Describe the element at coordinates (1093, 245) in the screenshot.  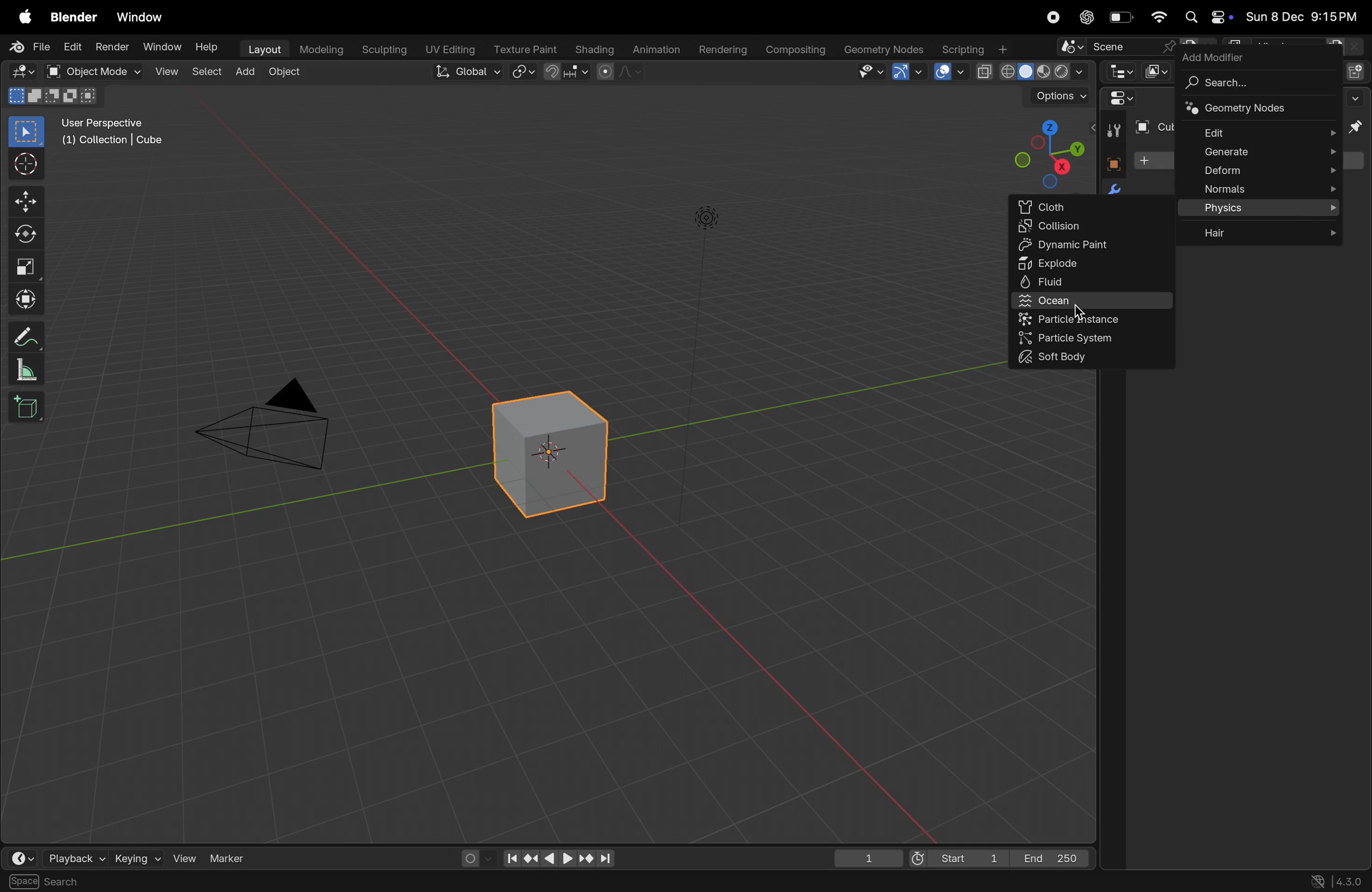
I see `dynamic point` at that location.